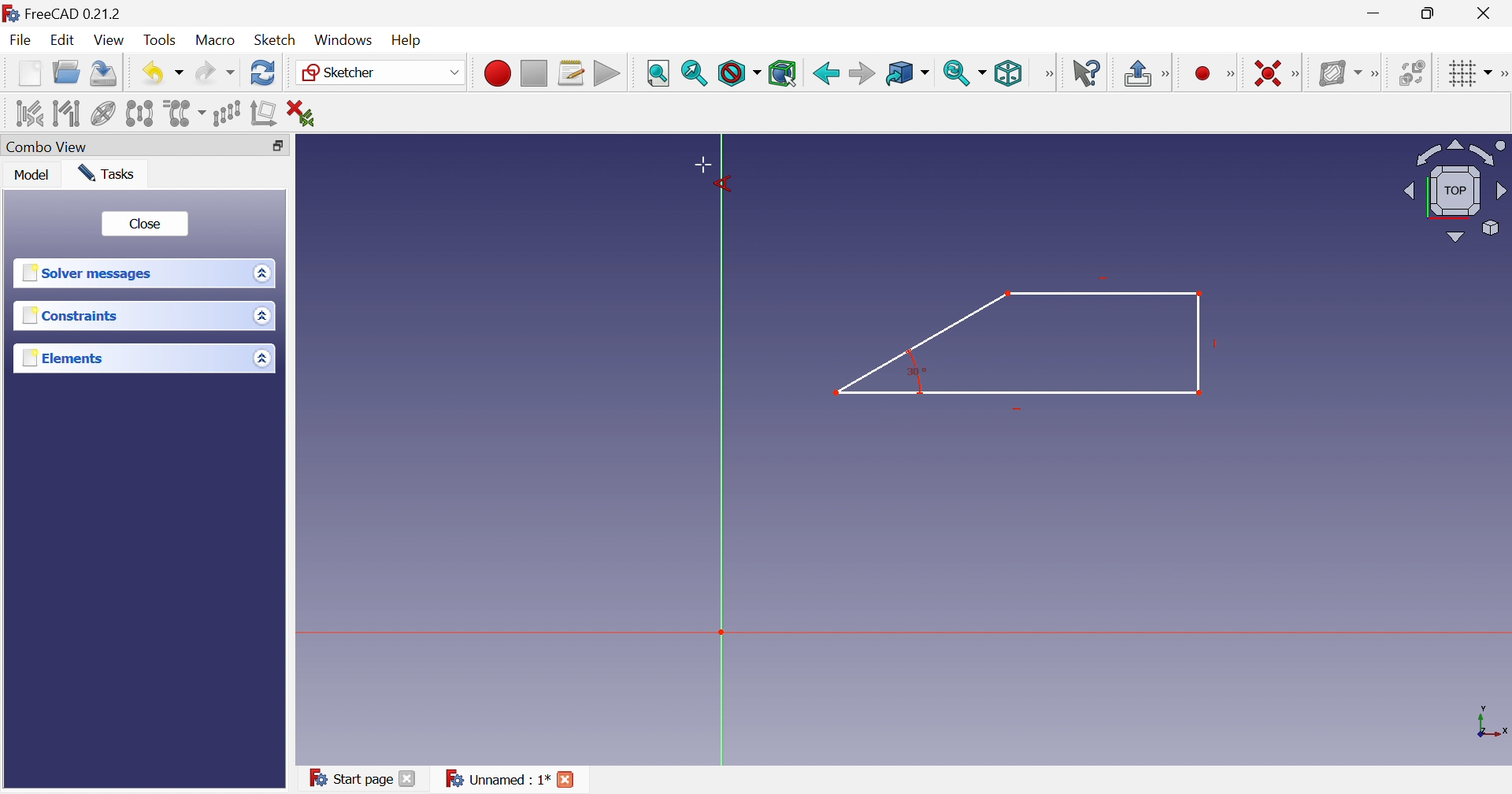 The height and width of the screenshot is (794, 1512). I want to click on Constraints, so click(70, 316).